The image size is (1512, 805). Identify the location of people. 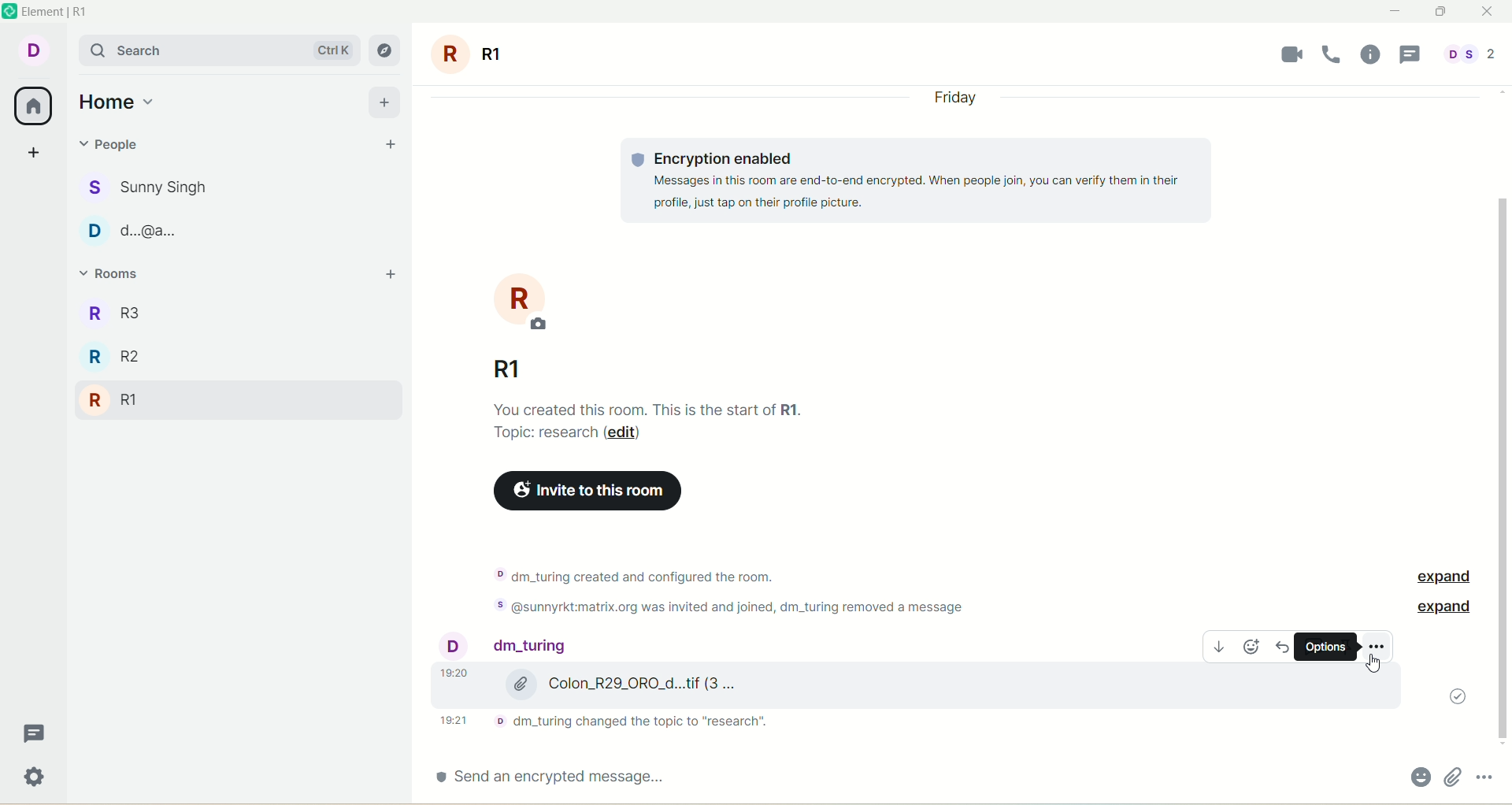
(508, 647).